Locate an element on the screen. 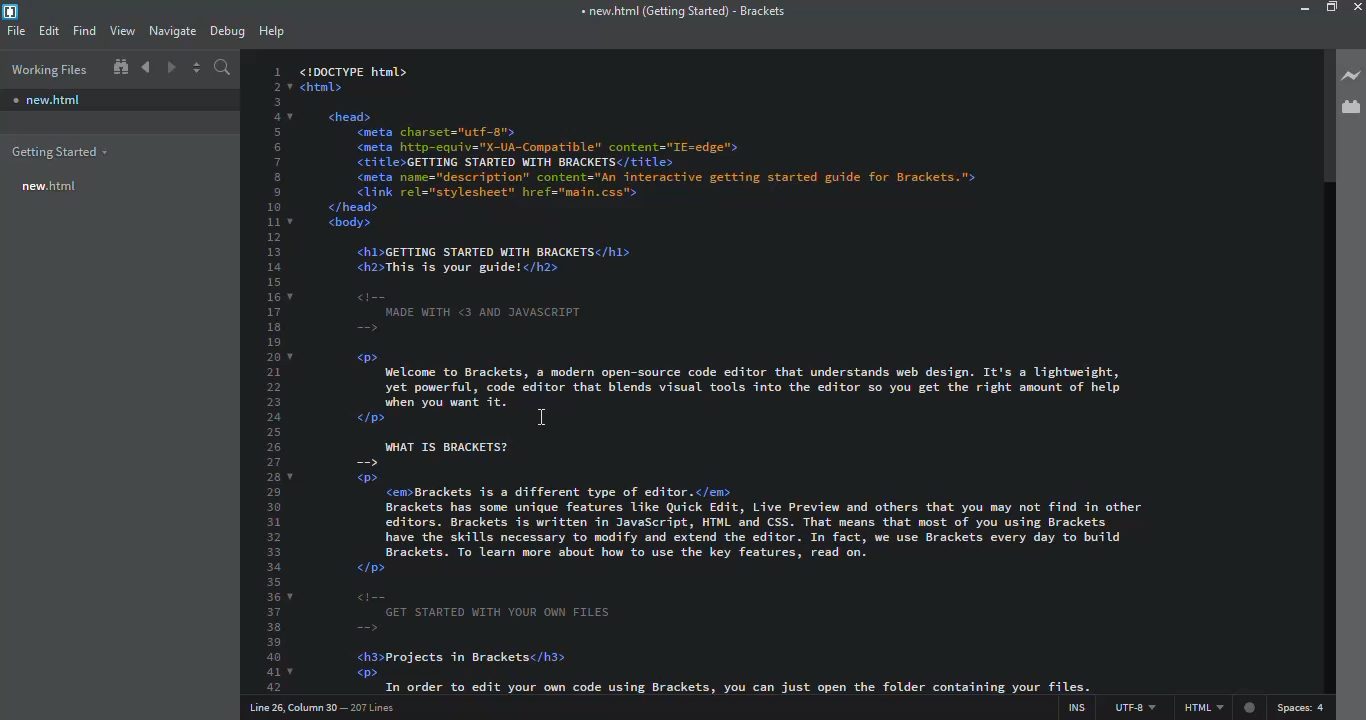 The width and height of the screenshot is (1366, 720). spaces is located at coordinates (1305, 708).